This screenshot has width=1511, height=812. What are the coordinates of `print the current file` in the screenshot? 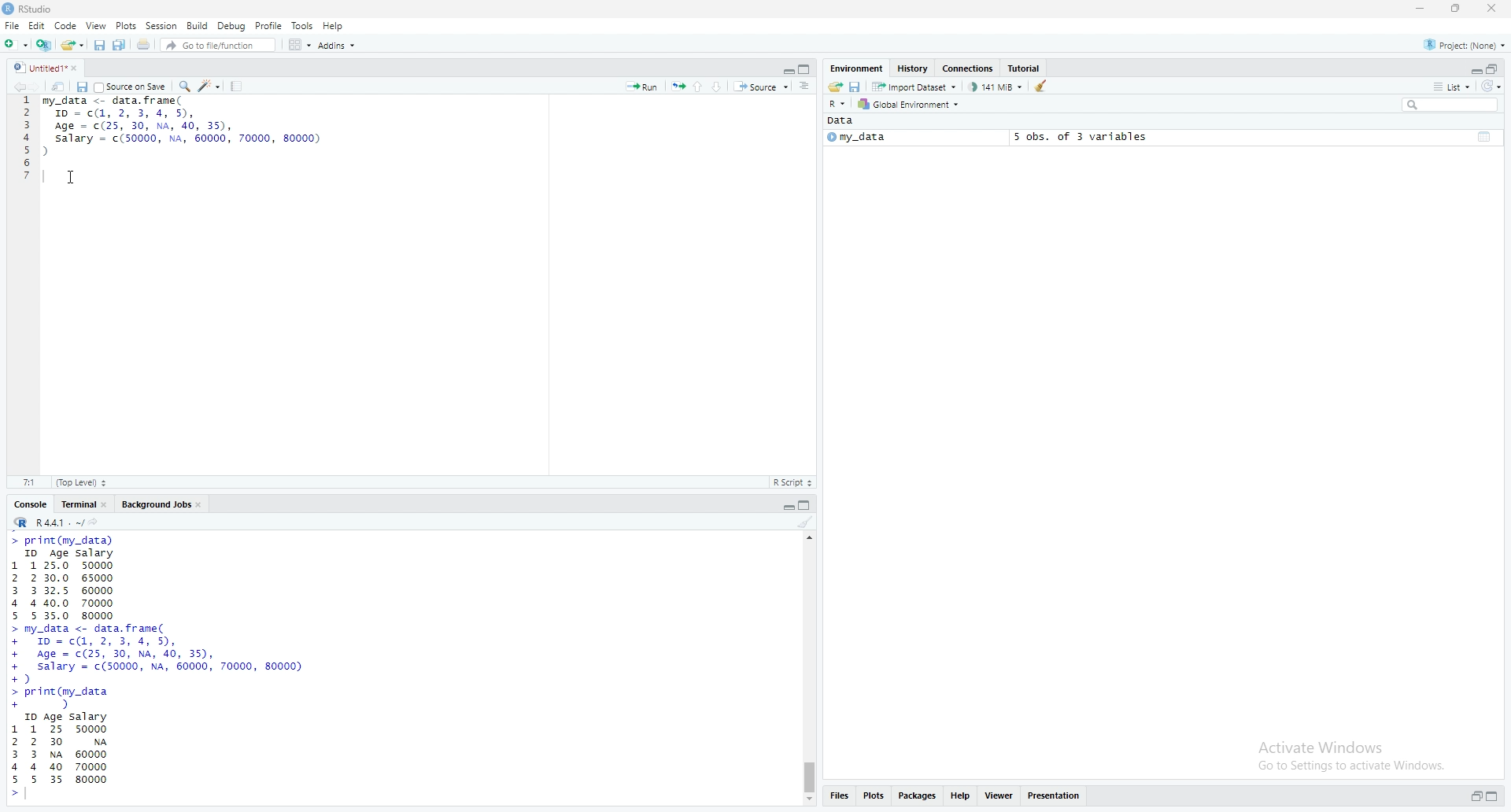 It's located at (144, 45).